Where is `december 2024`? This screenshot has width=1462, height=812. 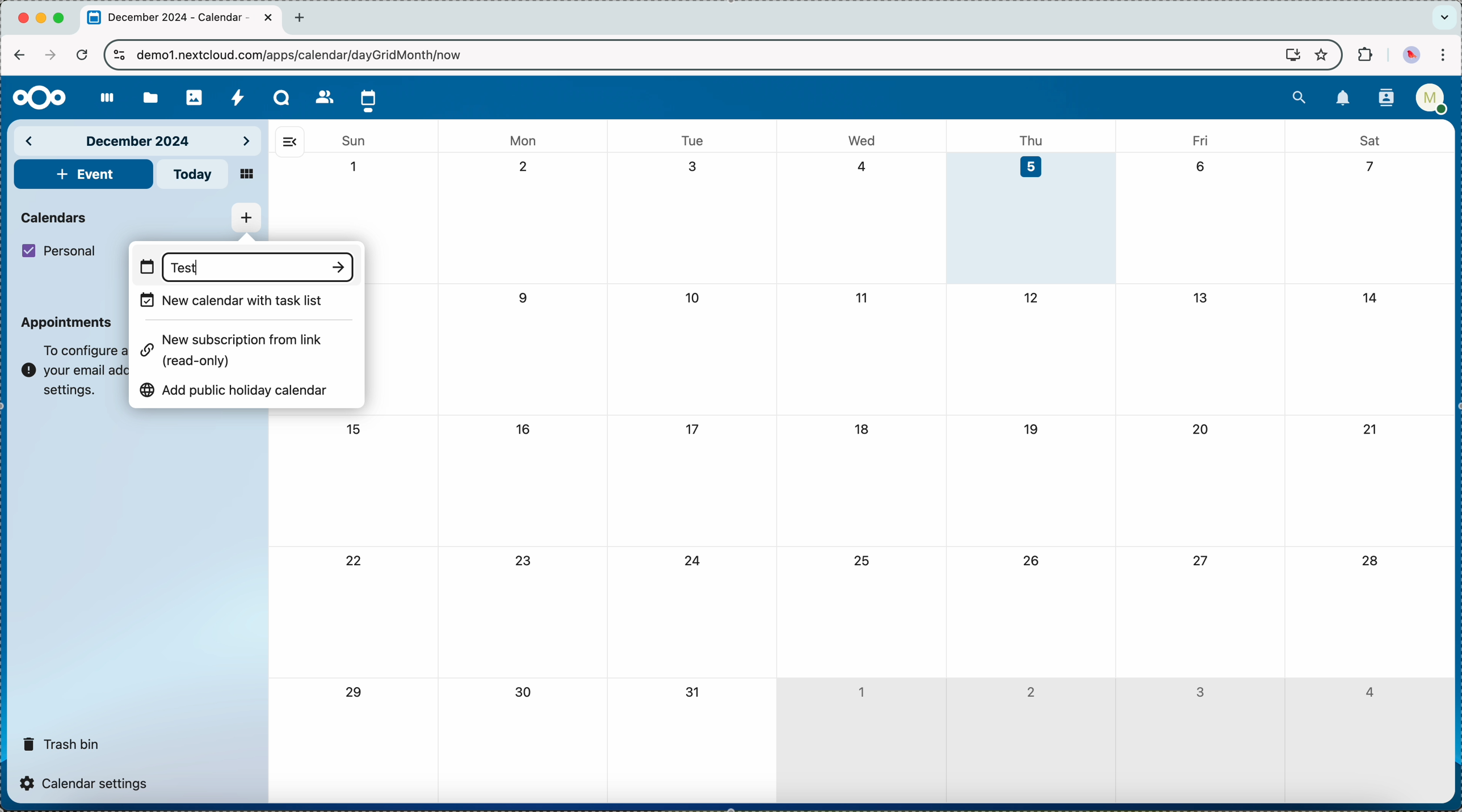 december 2024 is located at coordinates (140, 140).